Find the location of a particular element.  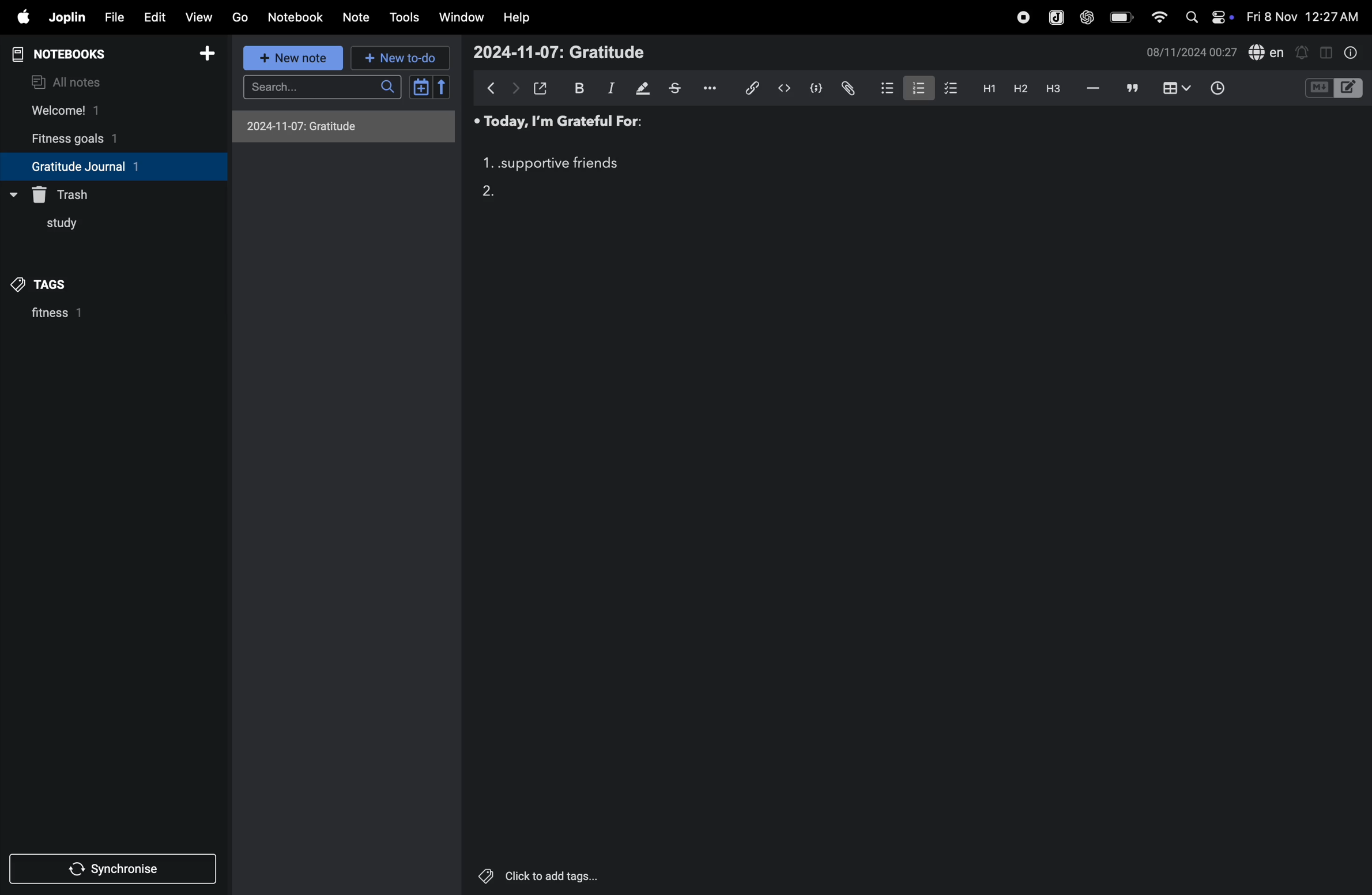

synchronise is located at coordinates (108, 871).